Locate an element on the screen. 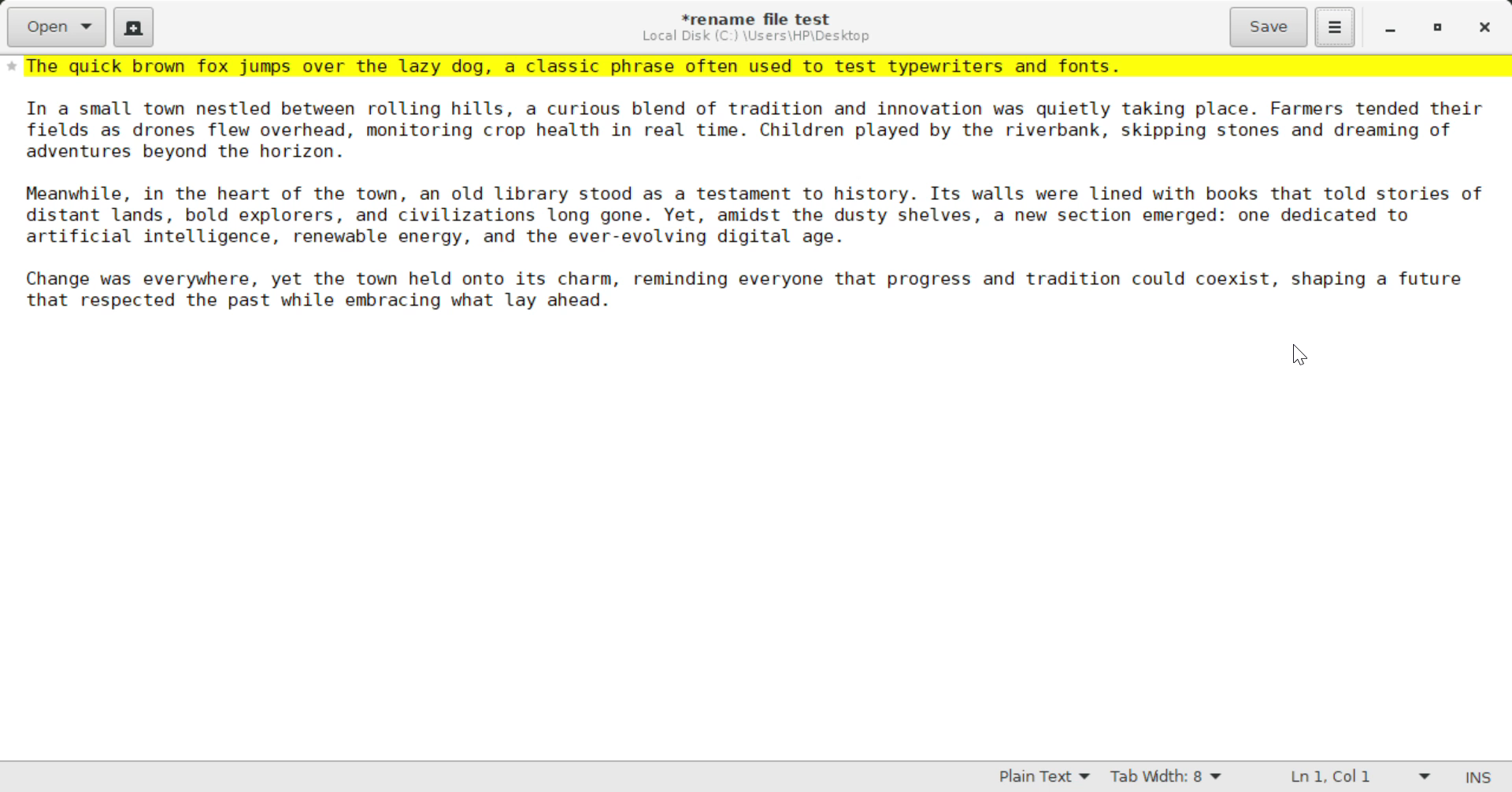 Image resolution: width=1512 pixels, height=792 pixels.  is located at coordinates (758, 202).